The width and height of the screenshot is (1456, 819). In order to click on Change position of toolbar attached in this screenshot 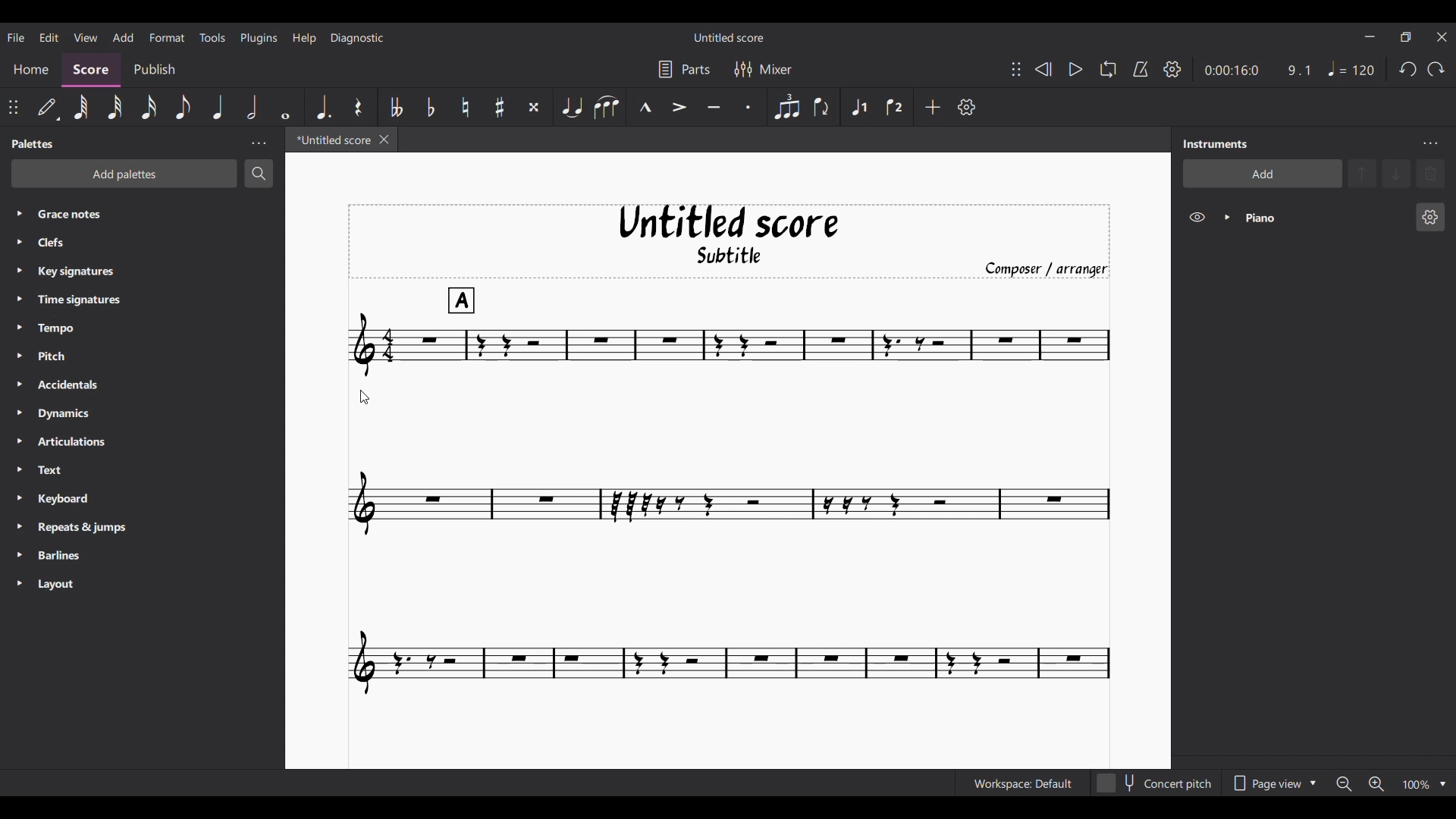, I will do `click(12, 106)`.